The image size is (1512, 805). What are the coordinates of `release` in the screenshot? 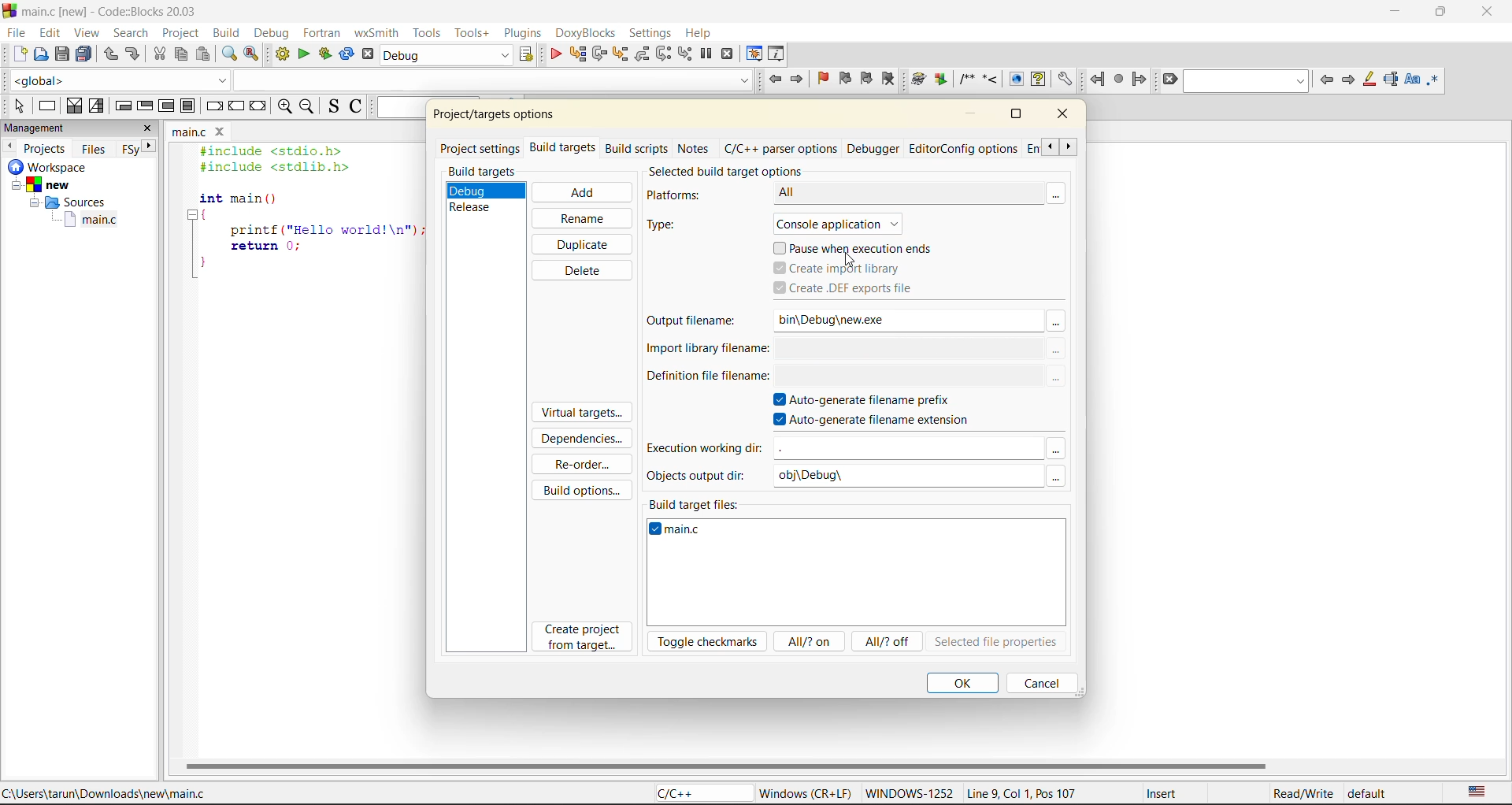 It's located at (476, 207).